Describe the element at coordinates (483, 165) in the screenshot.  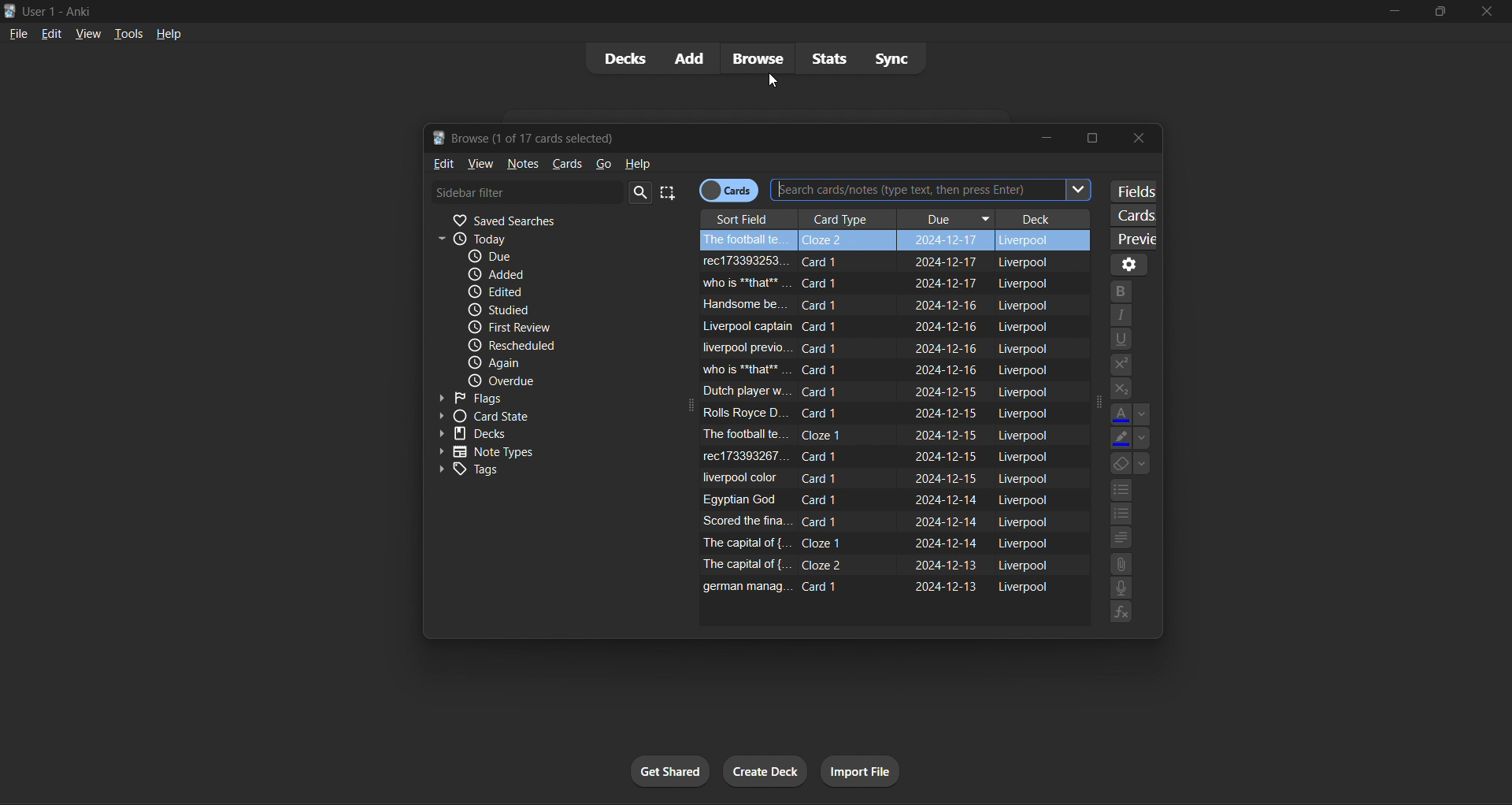
I see `view` at that location.